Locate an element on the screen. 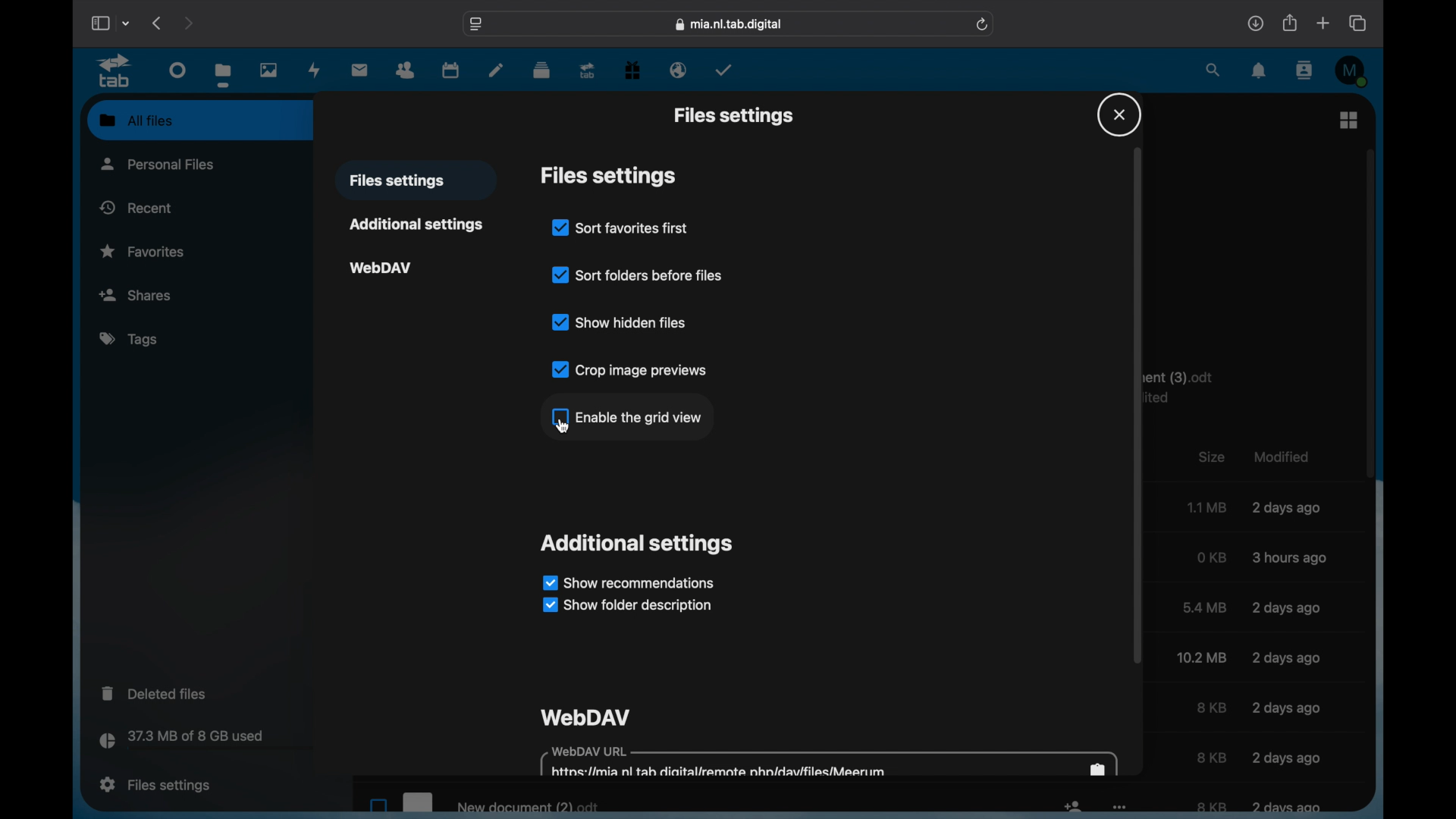 The image size is (1456, 819). new tab is located at coordinates (1323, 23).